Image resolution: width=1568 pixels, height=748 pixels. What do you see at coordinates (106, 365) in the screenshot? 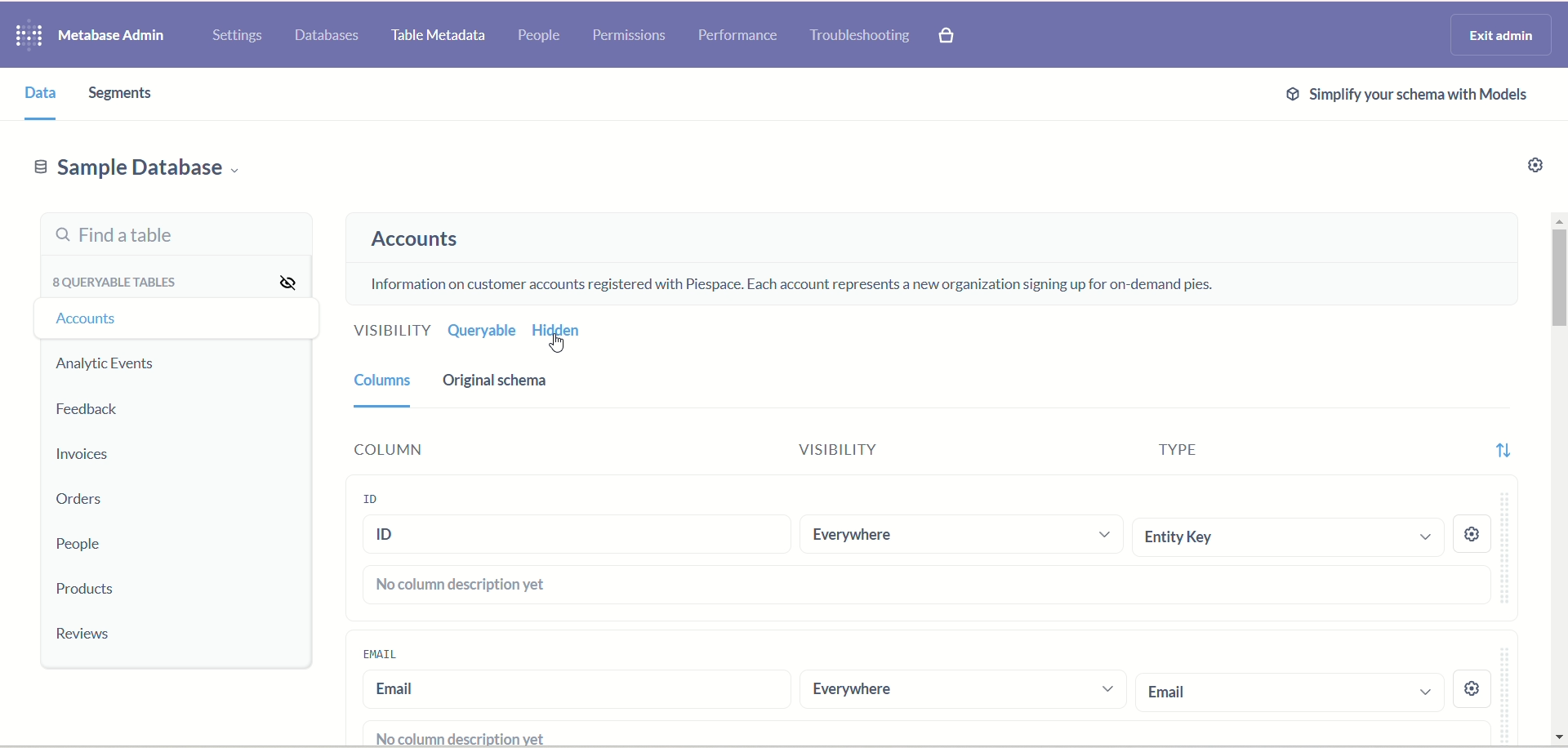
I see `analytic events` at bounding box center [106, 365].